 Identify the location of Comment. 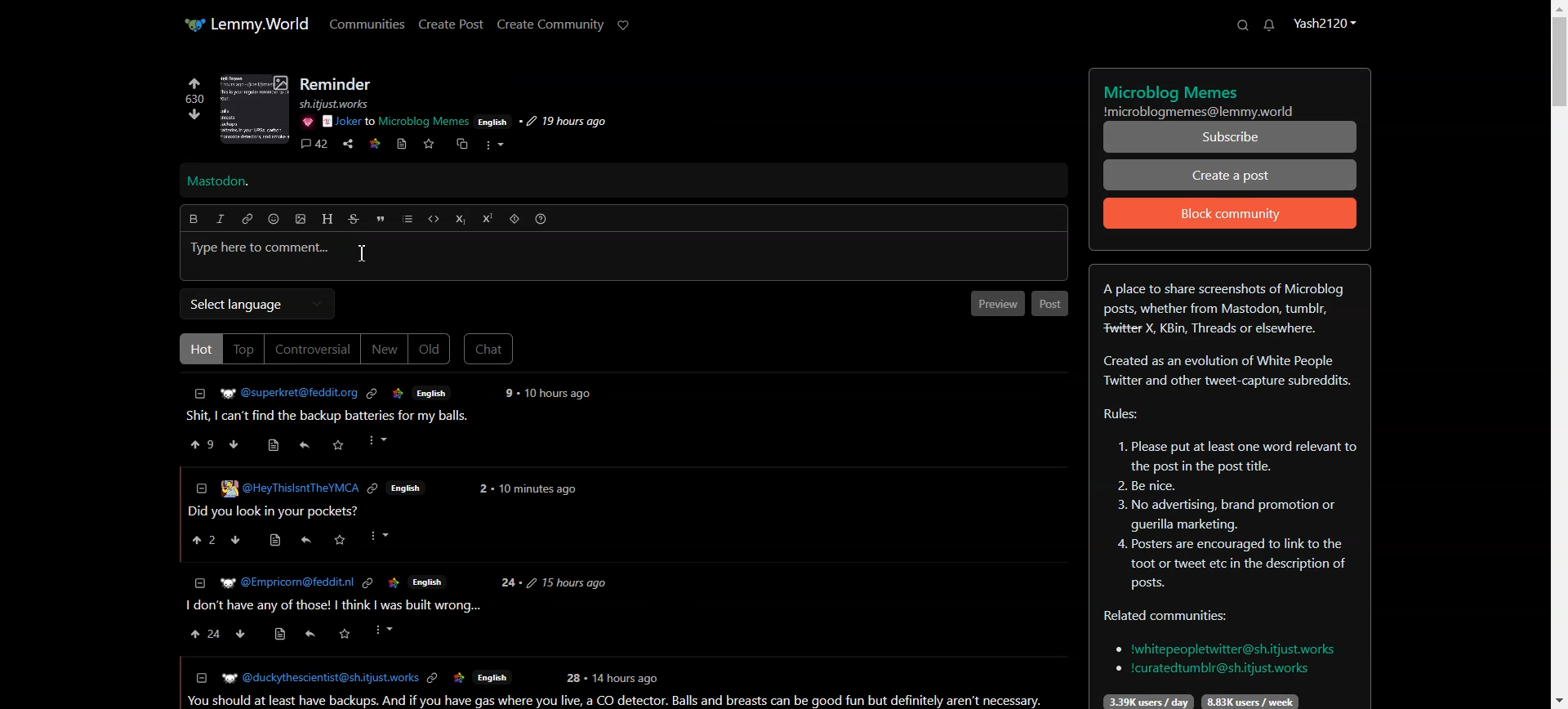
(314, 145).